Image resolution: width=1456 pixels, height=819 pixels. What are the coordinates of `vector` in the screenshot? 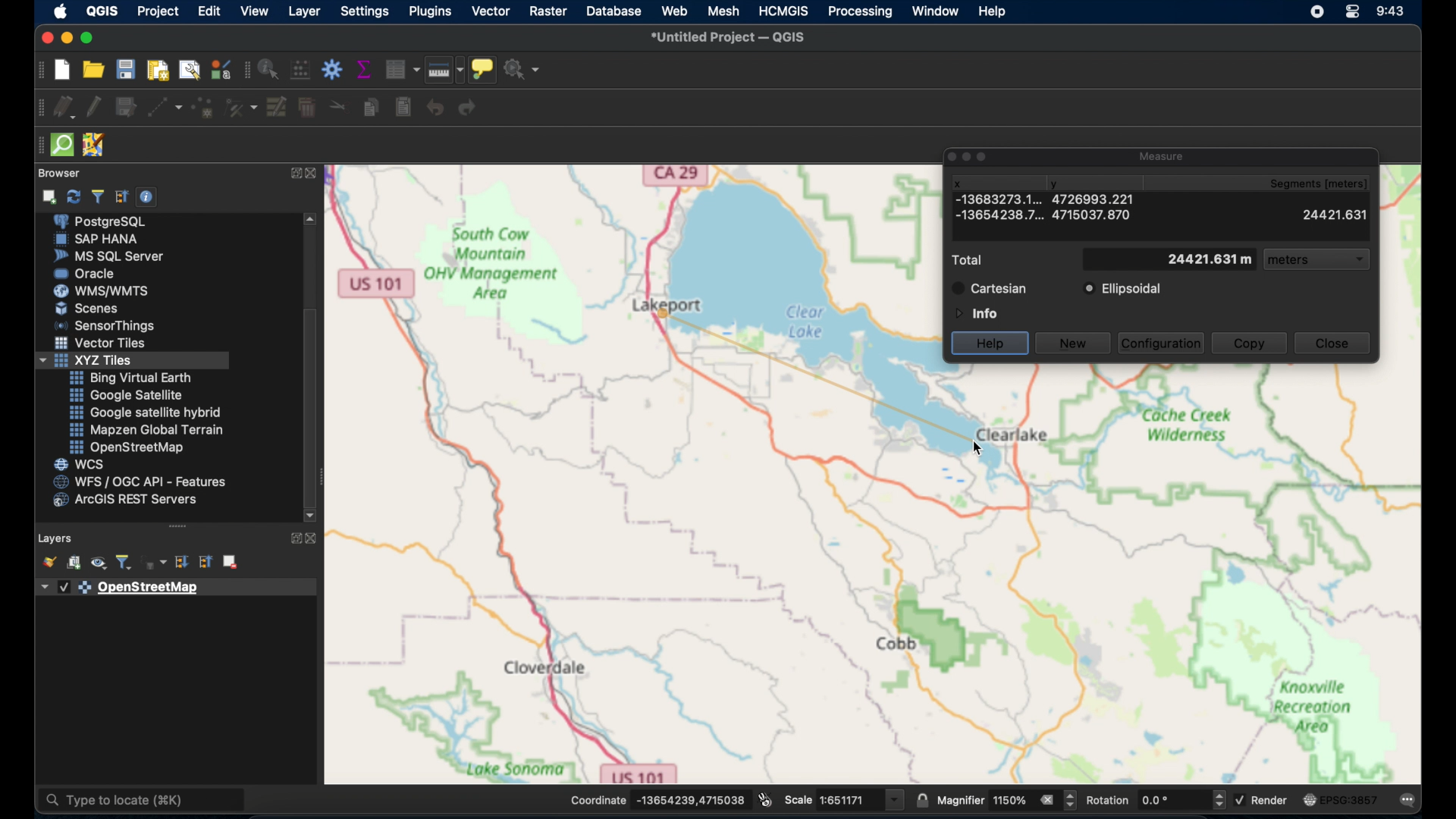 It's located at (490, 11).